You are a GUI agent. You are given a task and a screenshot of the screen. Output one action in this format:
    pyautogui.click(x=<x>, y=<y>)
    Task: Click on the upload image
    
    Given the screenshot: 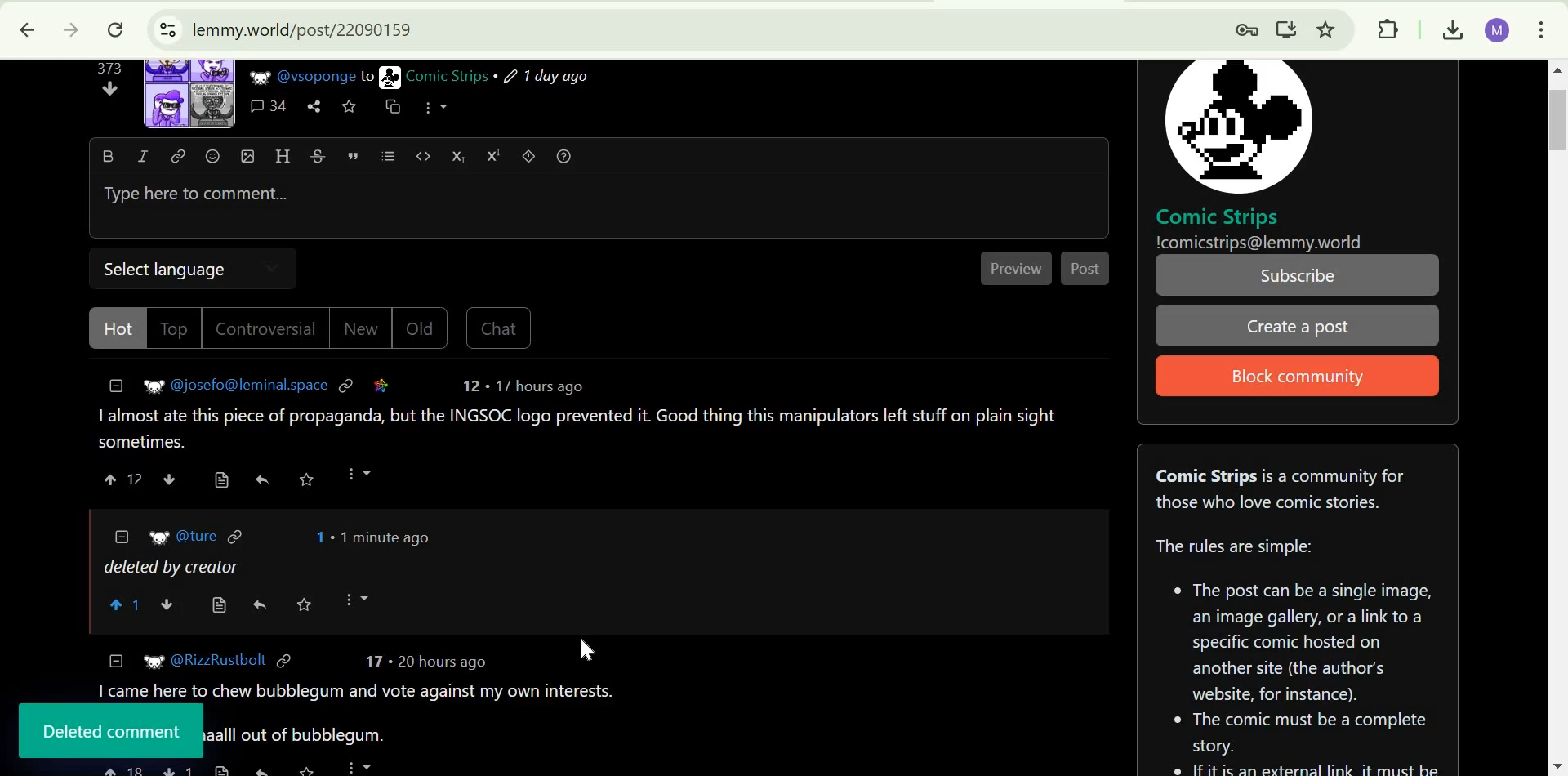 What is the action you would take?
    pyautogui.click(x=247, y=155)
    